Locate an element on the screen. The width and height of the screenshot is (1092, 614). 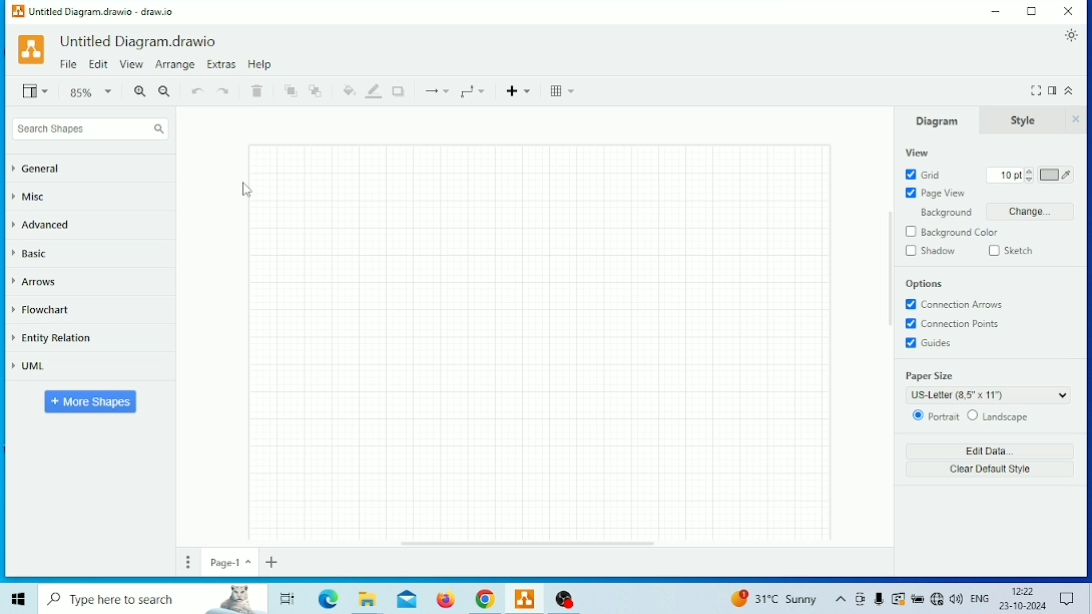
File Explorer is located at coordinates (364, 600).